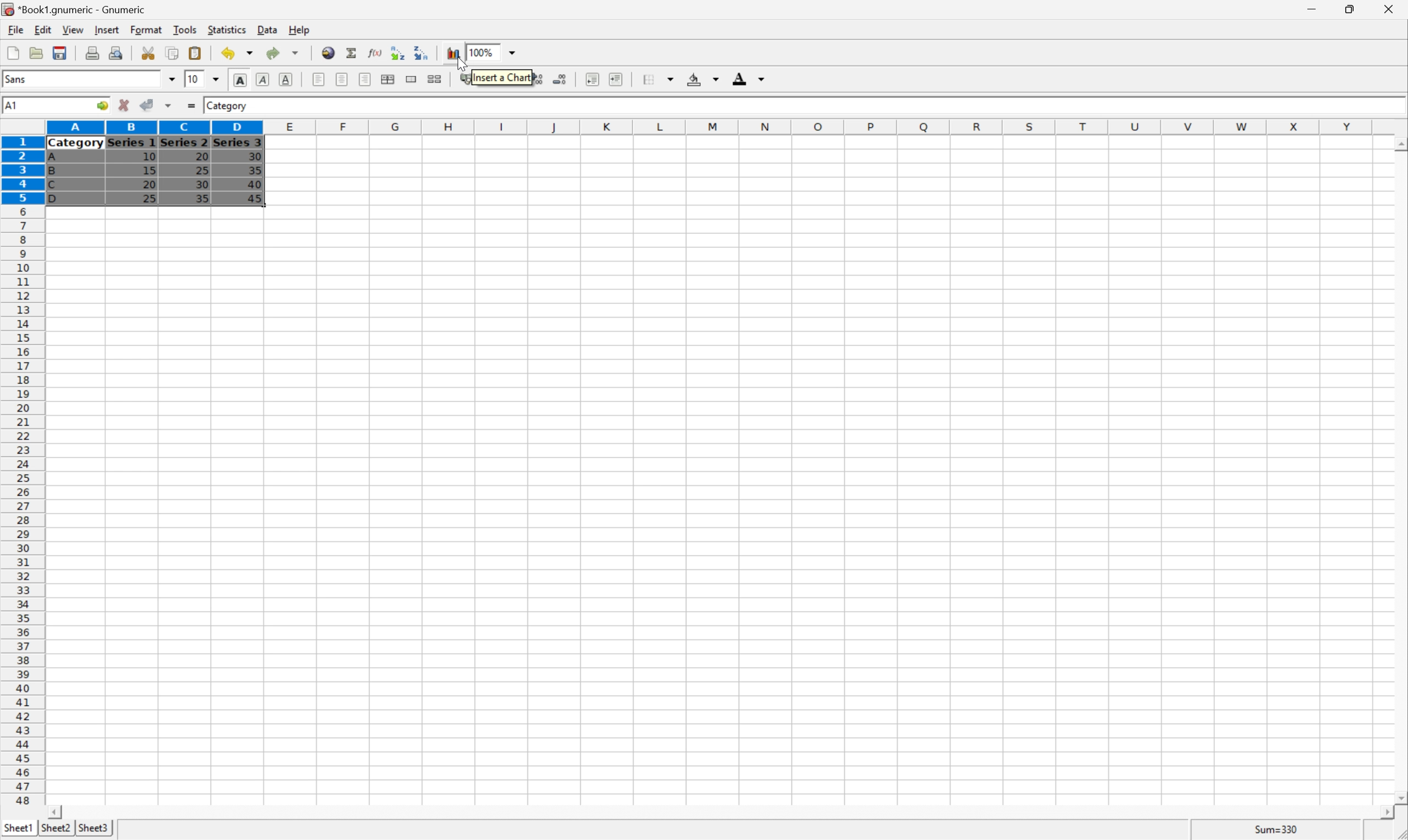  I want to click on C, so click(52, 186).